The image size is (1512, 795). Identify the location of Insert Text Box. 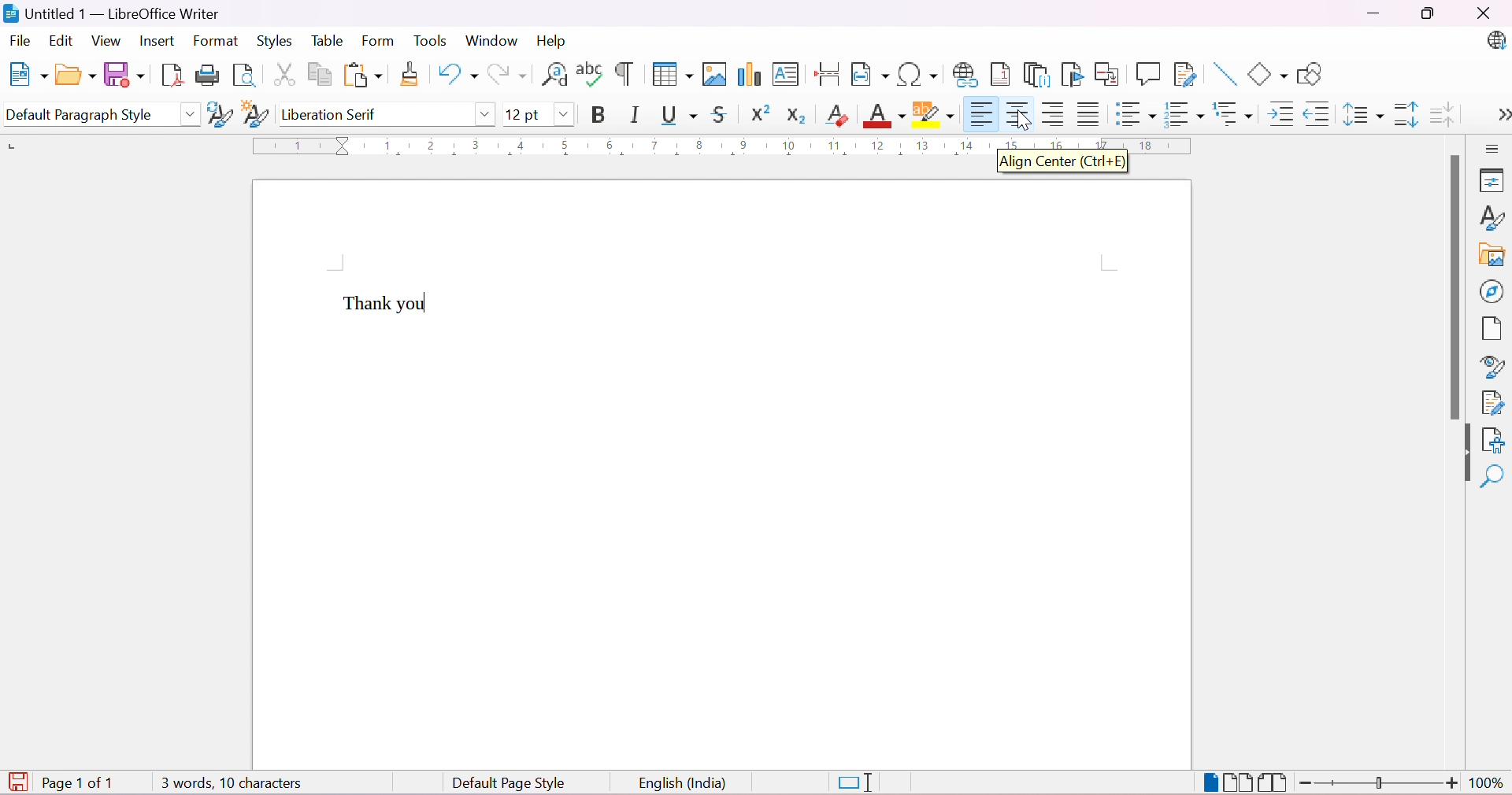
(785, 76).